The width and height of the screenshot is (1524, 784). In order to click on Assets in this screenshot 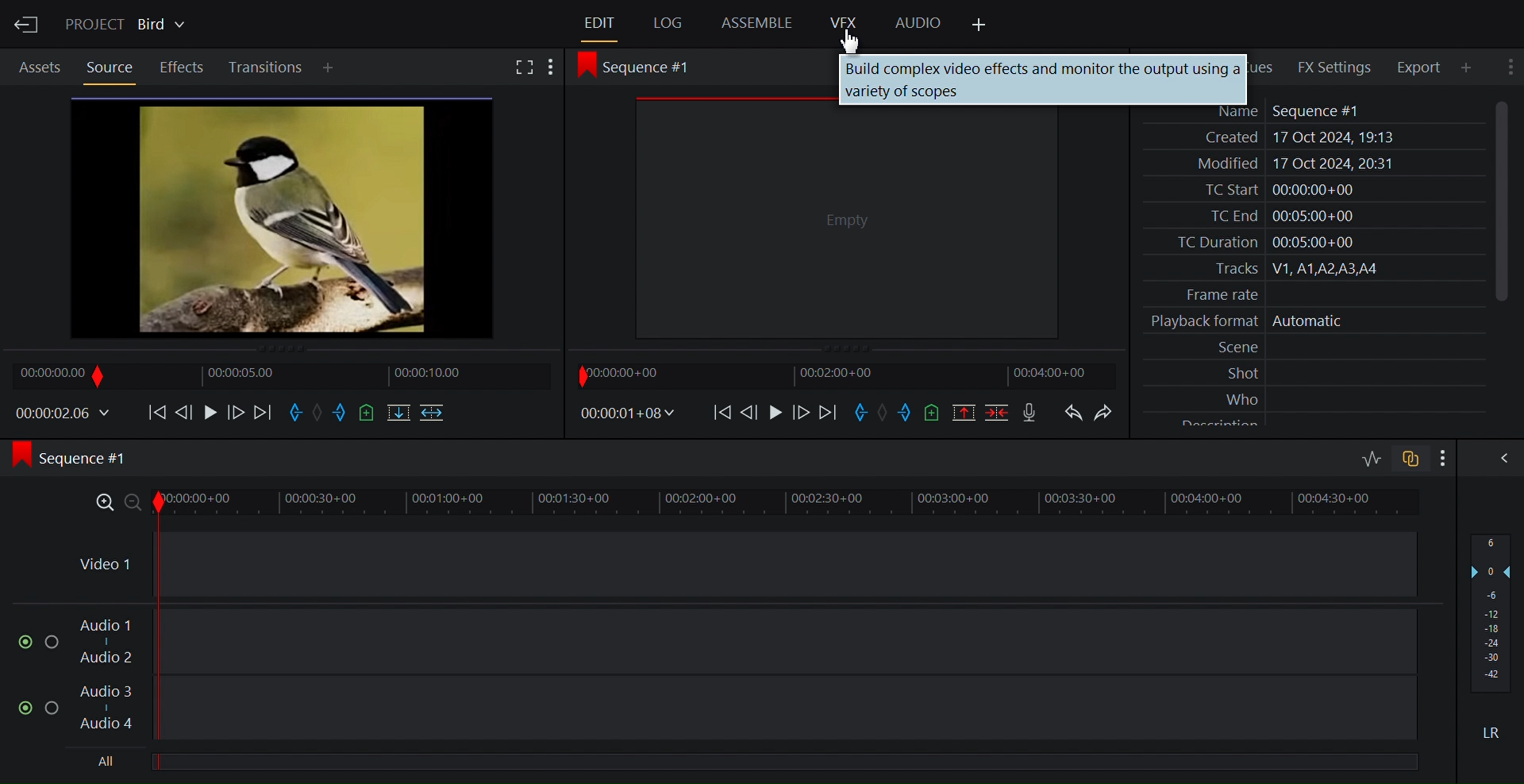, I will do `click(41, 67)`.